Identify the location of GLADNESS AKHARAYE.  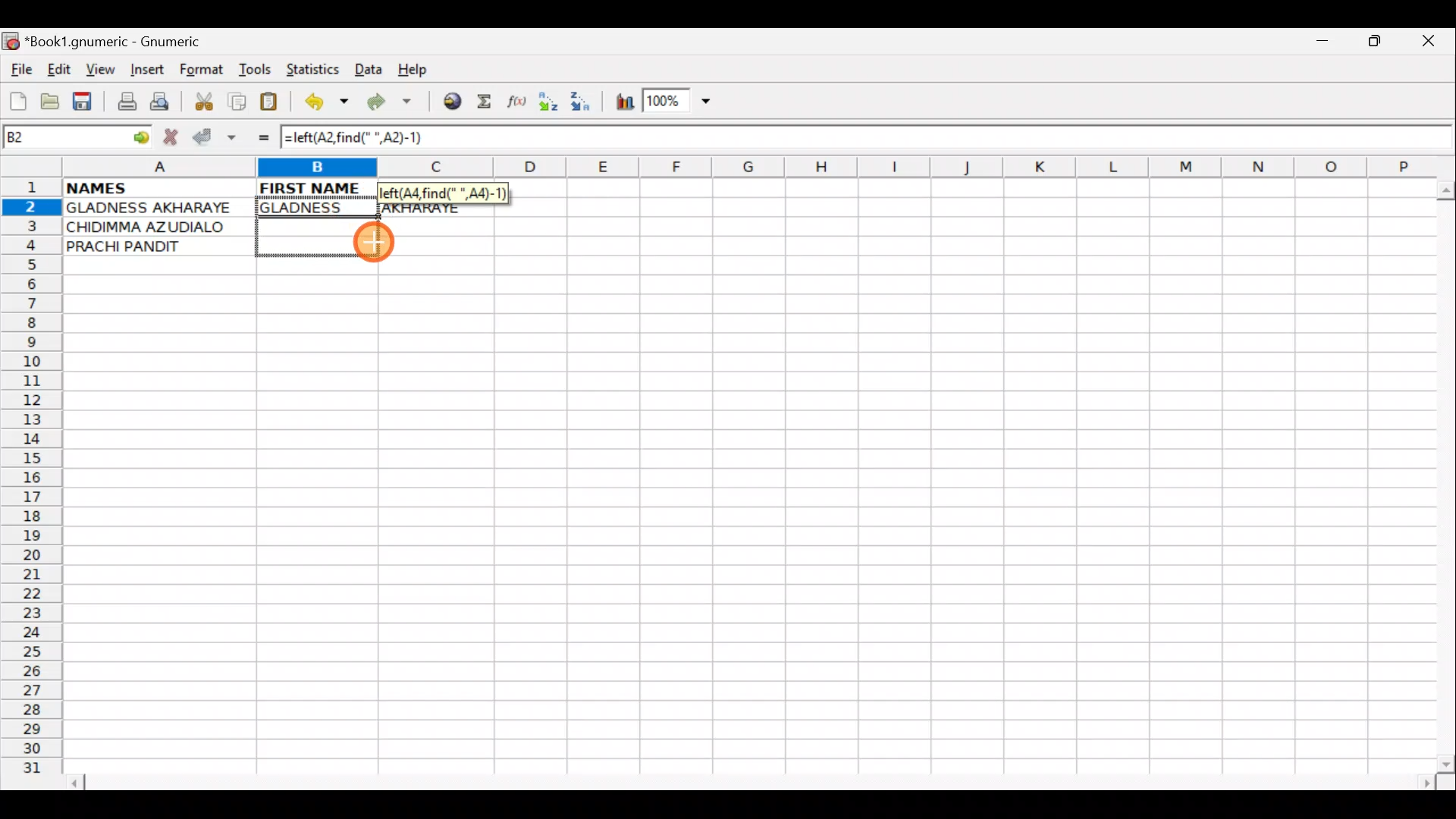
(158, 209).